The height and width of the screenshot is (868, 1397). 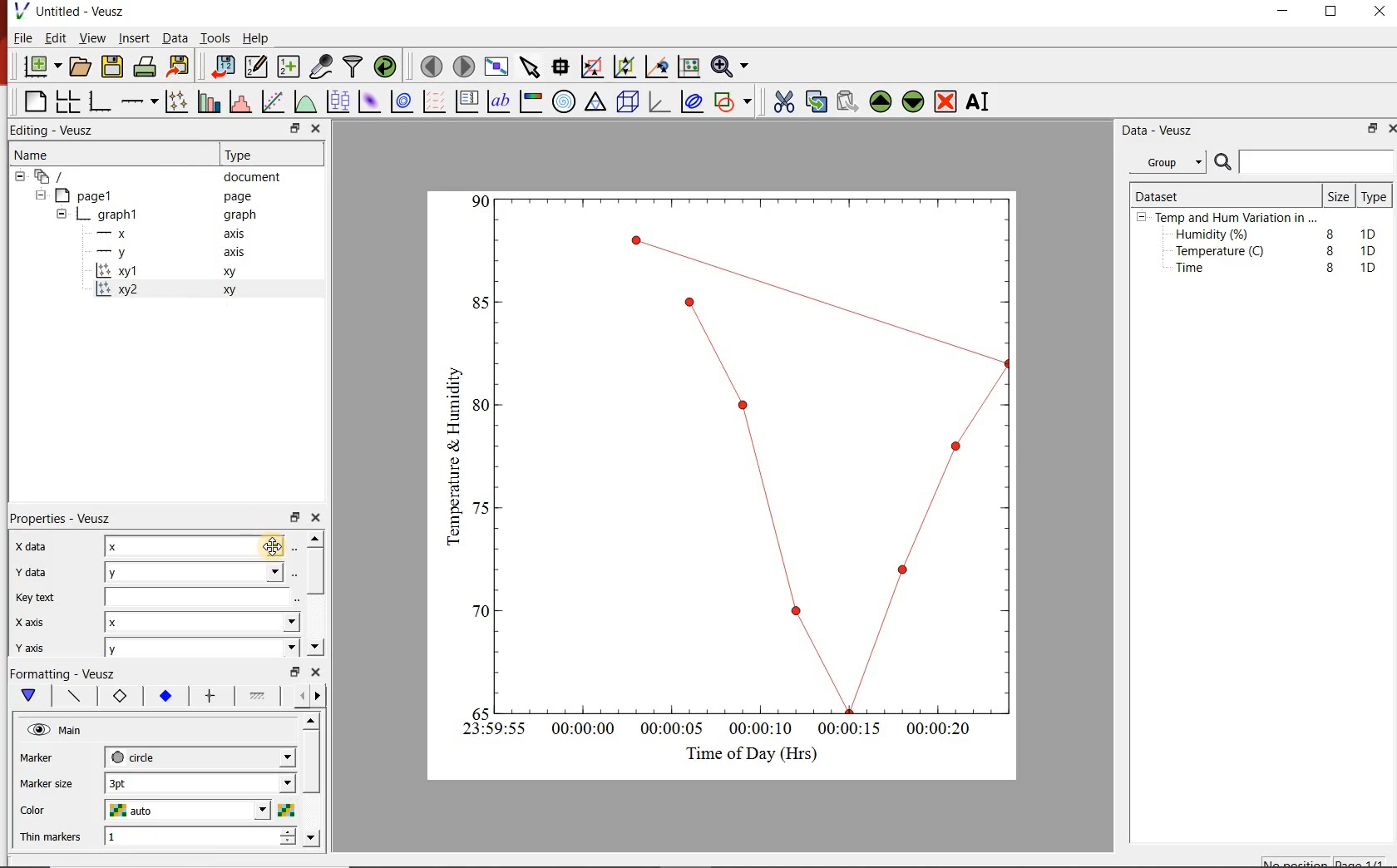 What do you see at coordinates (67, 675) in the screenshot?
I see `Formatting - Veusz` at bounding box center [67, 675].